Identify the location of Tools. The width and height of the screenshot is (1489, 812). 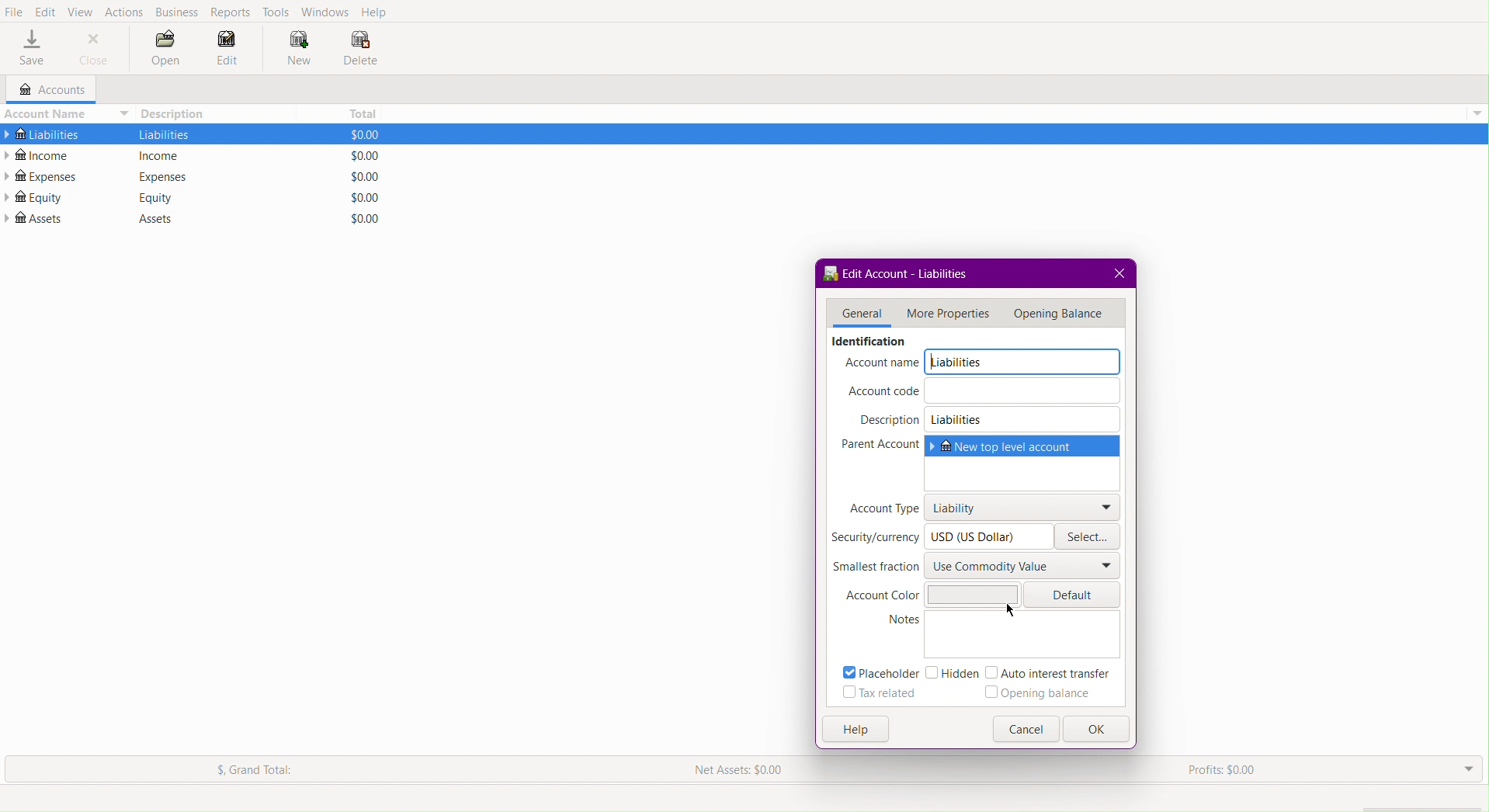
(277, 11).